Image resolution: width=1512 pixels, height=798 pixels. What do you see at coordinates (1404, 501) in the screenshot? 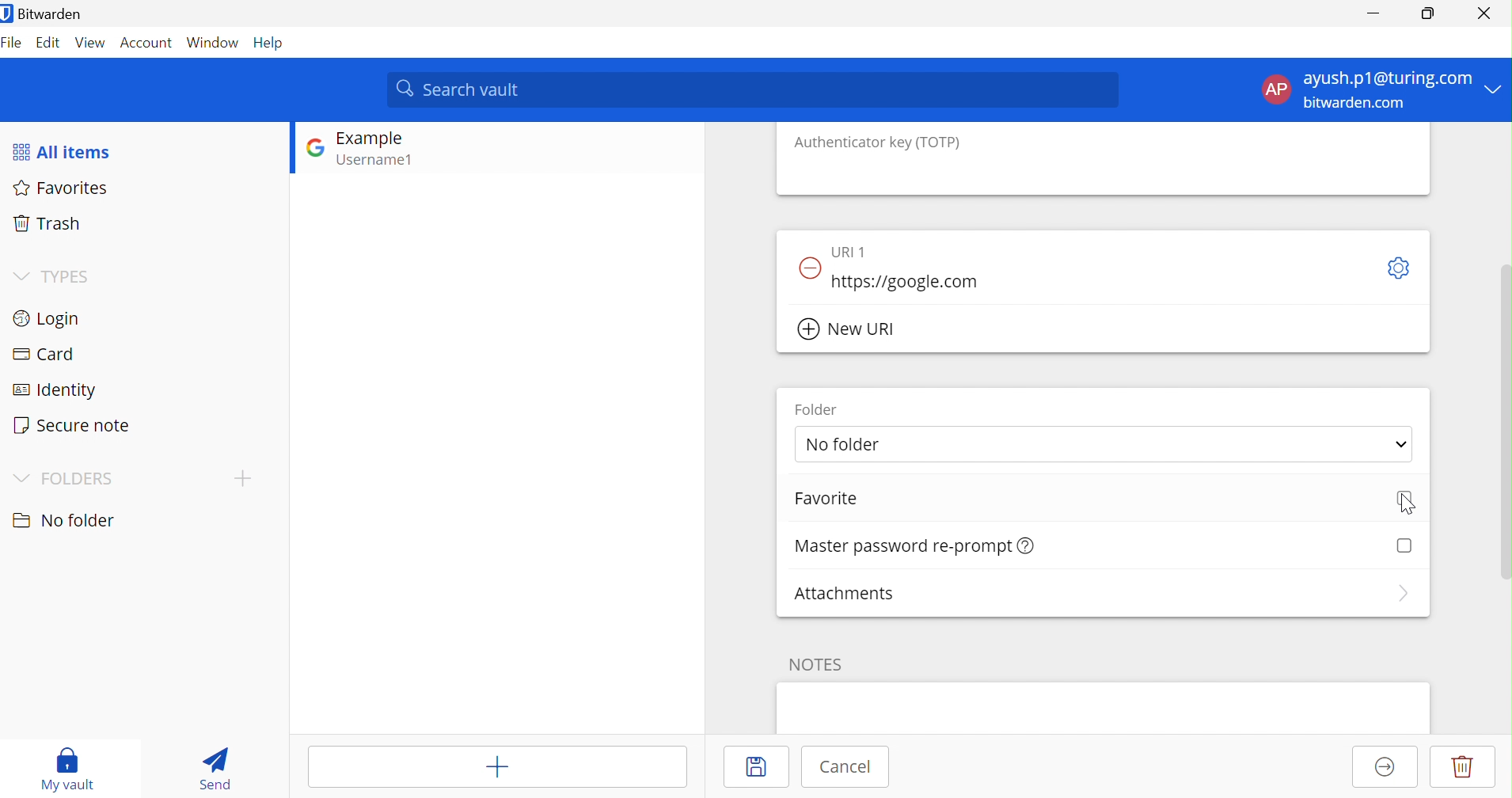
I see `Checkbox` at bounding box center [1404, 501].